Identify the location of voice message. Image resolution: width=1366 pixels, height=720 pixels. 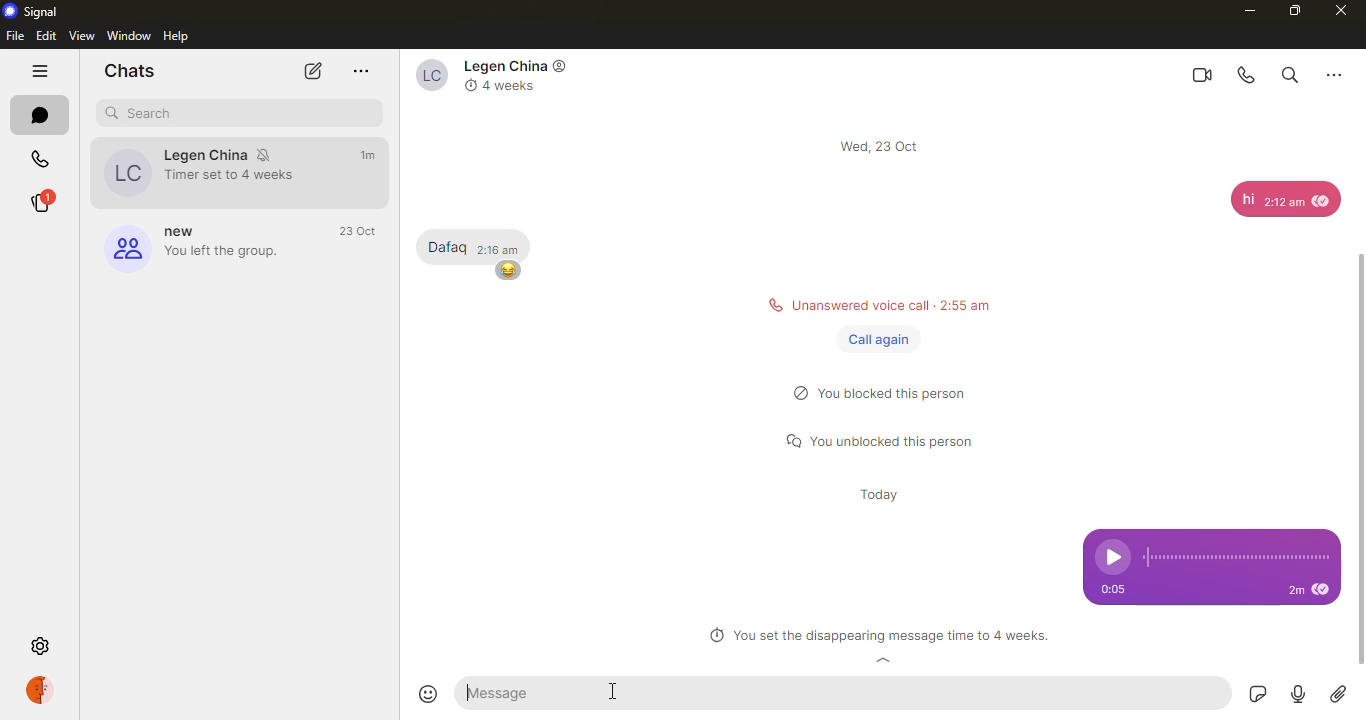
(1212, 549).